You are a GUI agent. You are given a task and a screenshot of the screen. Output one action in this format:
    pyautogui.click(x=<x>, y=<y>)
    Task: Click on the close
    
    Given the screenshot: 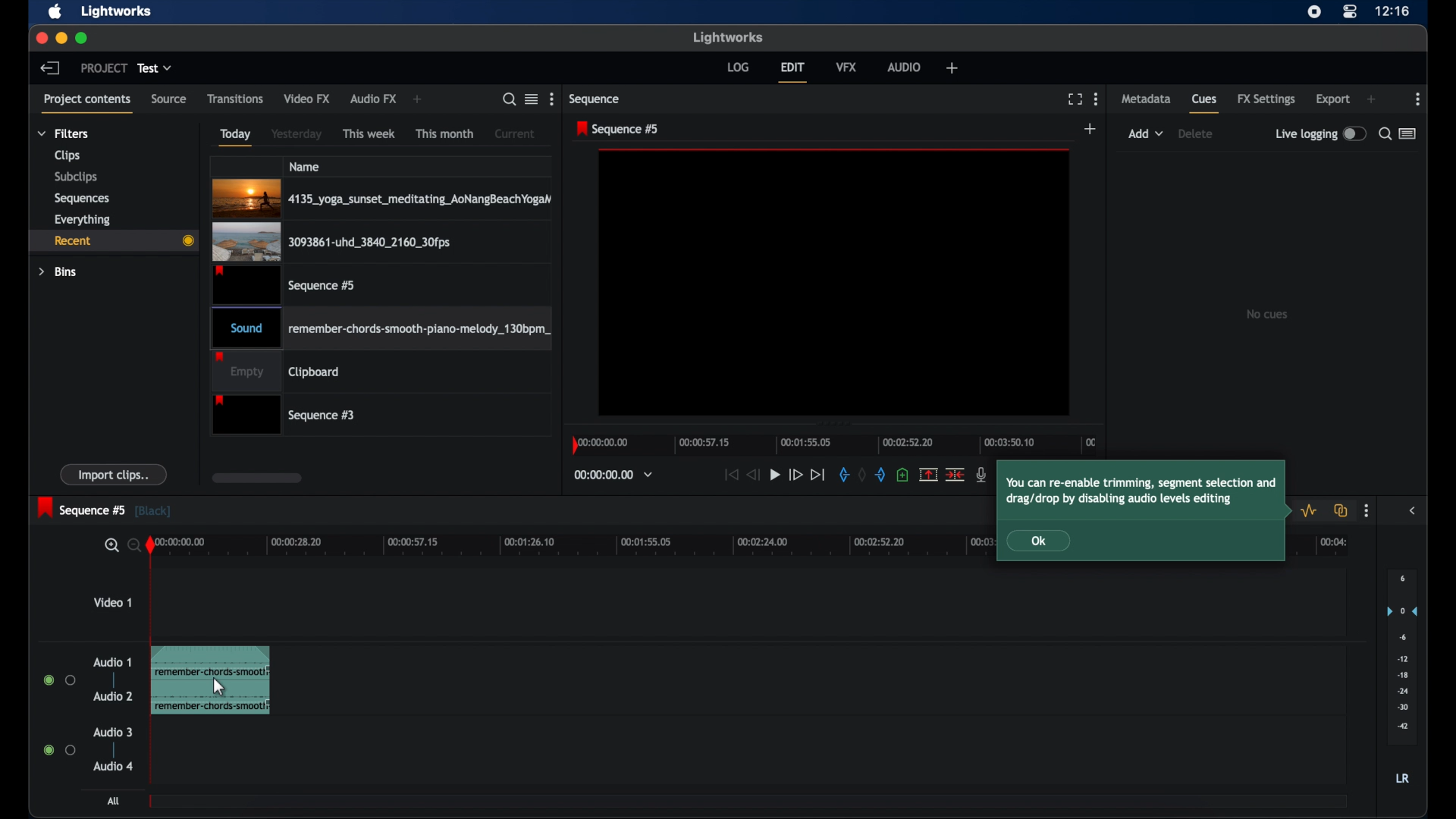 What is the action you would take?
    pyautogui.click(x=41, y=39)
    